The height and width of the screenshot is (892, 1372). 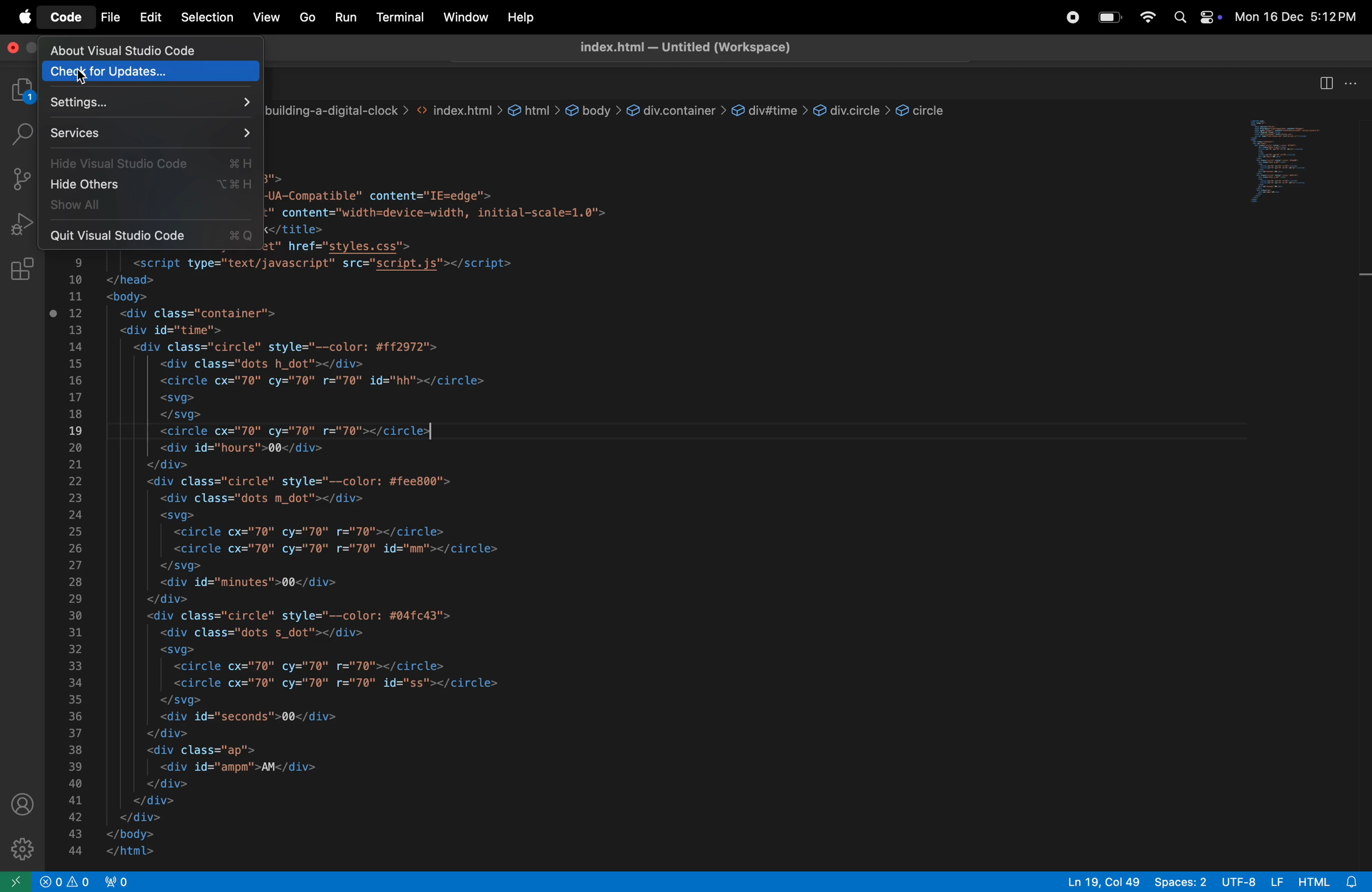 I want to click on </head> i, so click(x=131, y=281).